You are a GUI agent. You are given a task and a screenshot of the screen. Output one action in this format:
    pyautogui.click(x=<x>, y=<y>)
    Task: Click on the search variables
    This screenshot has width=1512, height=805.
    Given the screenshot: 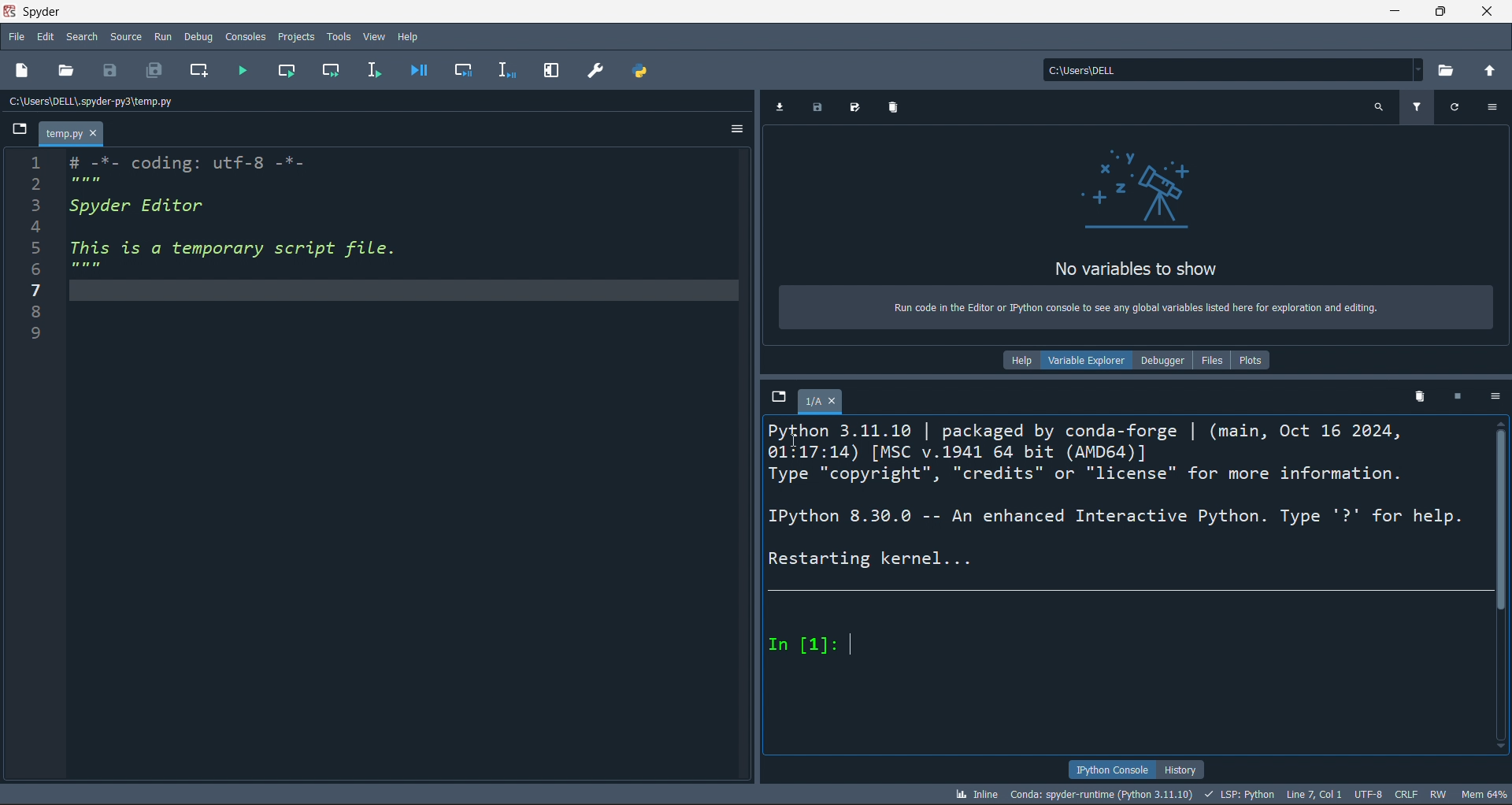 What is the action you would take?
    pyautogui.click(x=1380, y=108)
    